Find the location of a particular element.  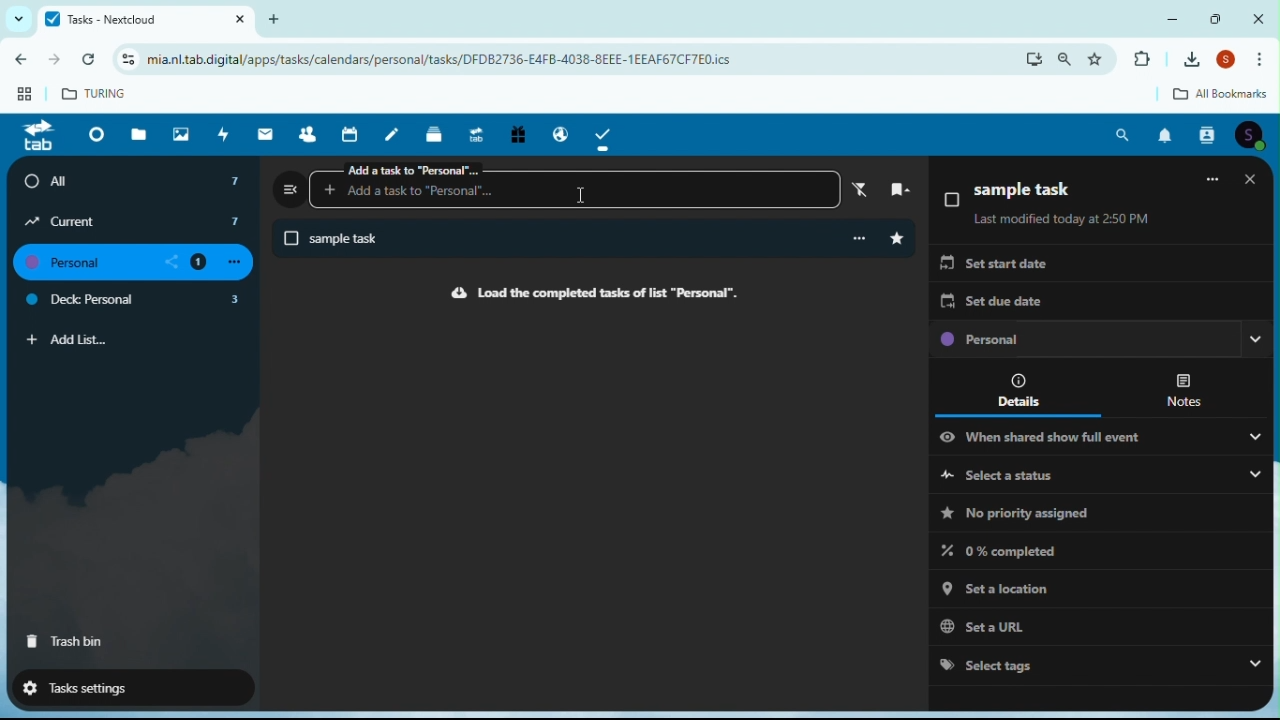

Set URL is located at coordinates (1089, 623).